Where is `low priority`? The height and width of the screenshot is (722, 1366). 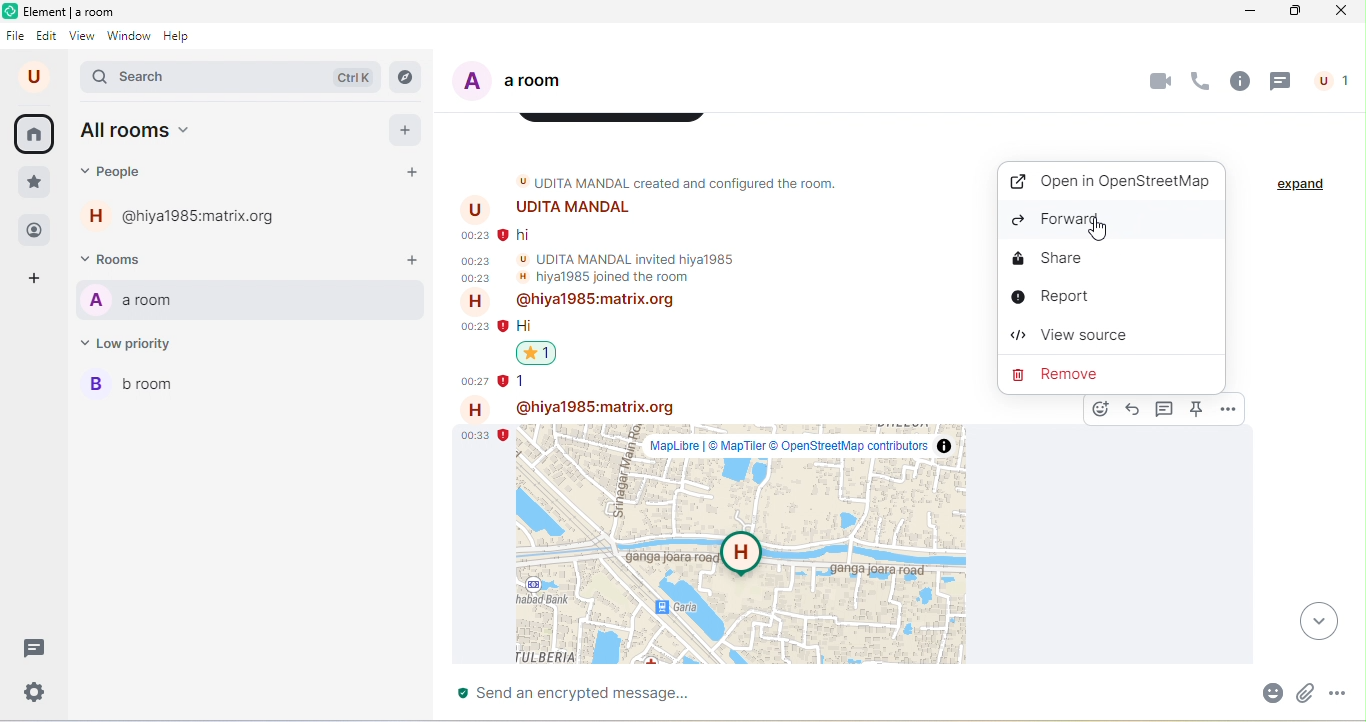
low priority is located at coordinates (131, 342).